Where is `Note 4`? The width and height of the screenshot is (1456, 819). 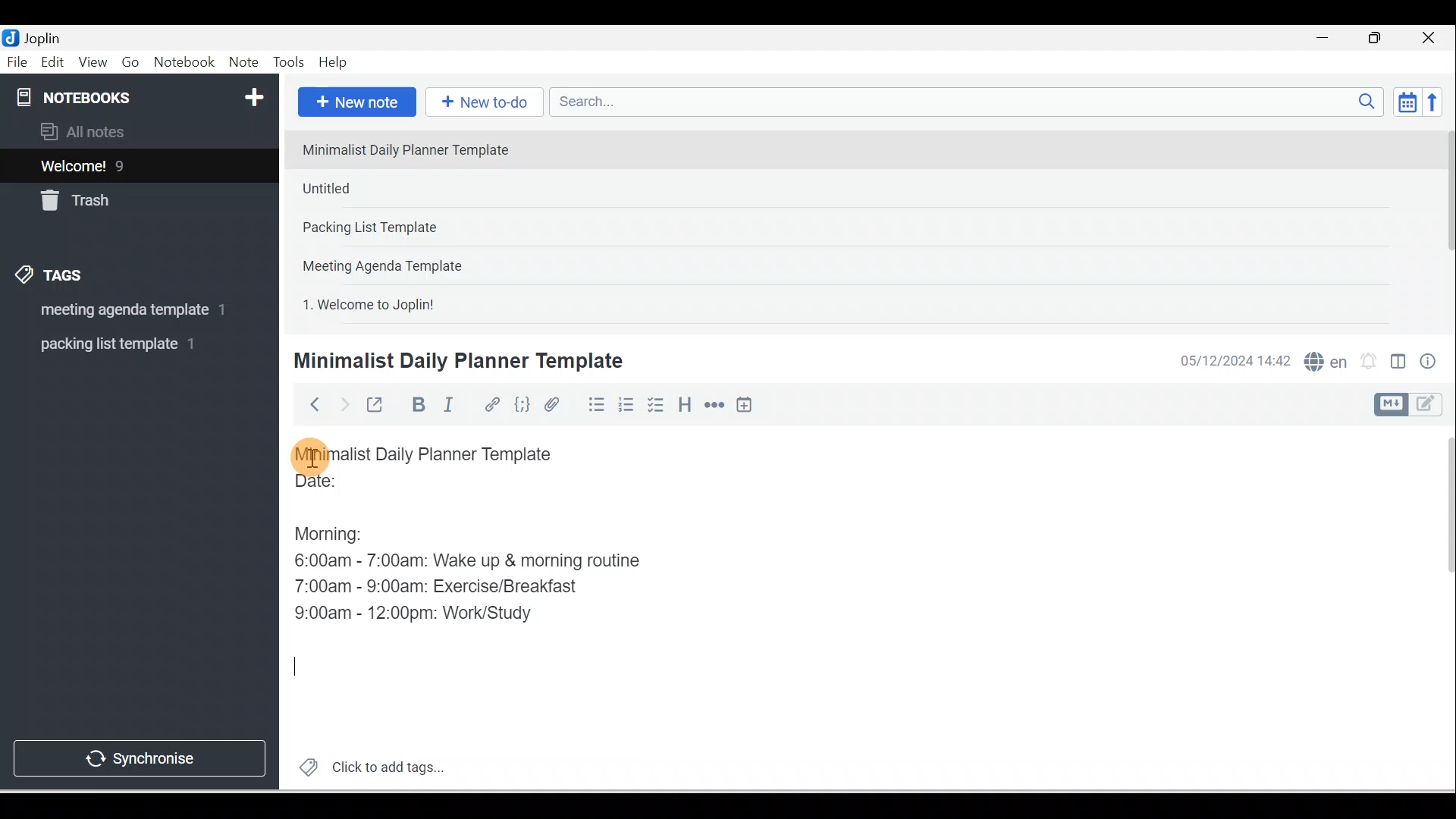 Note 4 is located at coordinates (403, 262).